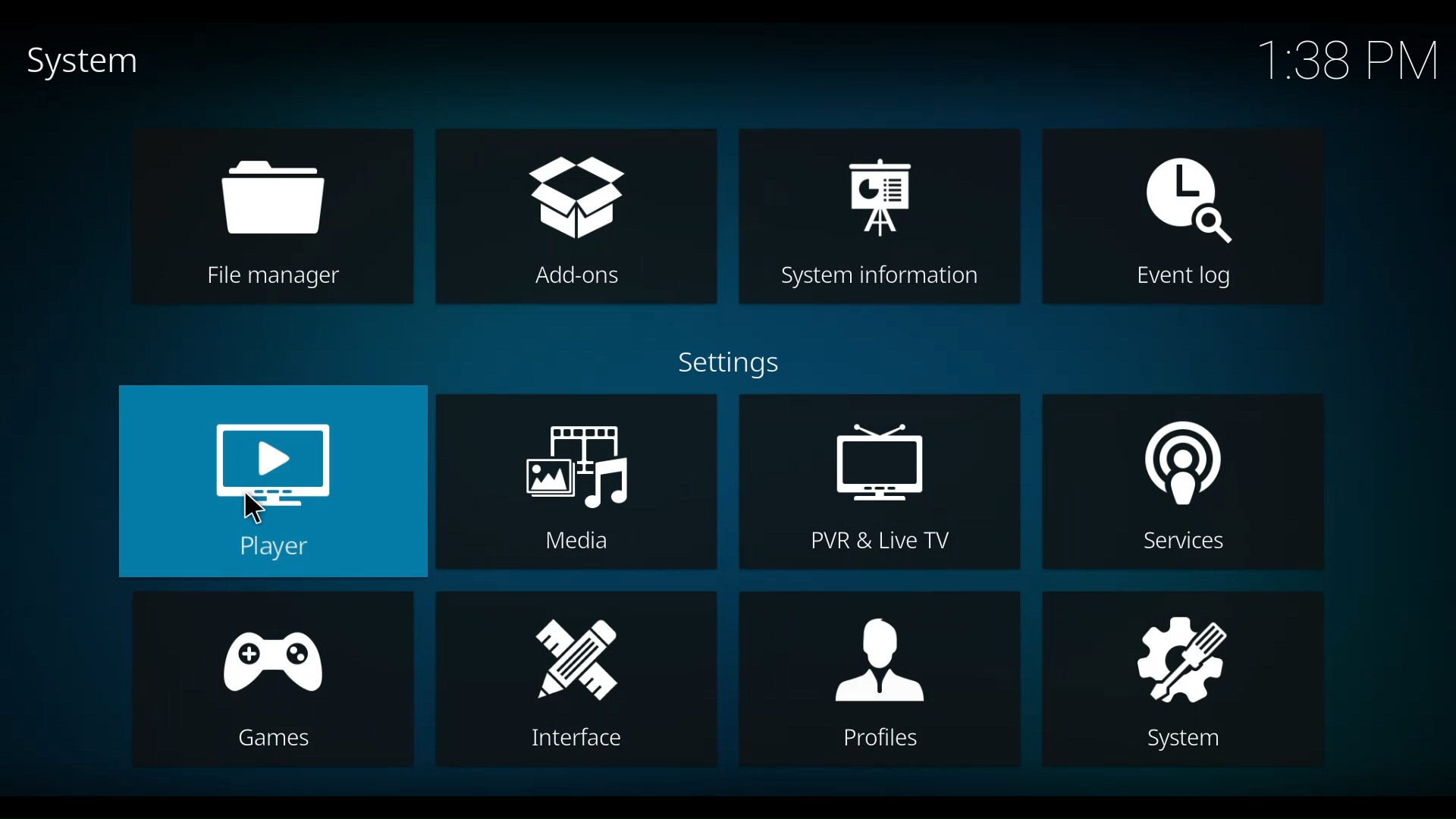 The image size is (1456, 819). Describe the element at coordinates (879, 215) in the screenshot. I see `System information` at that location.